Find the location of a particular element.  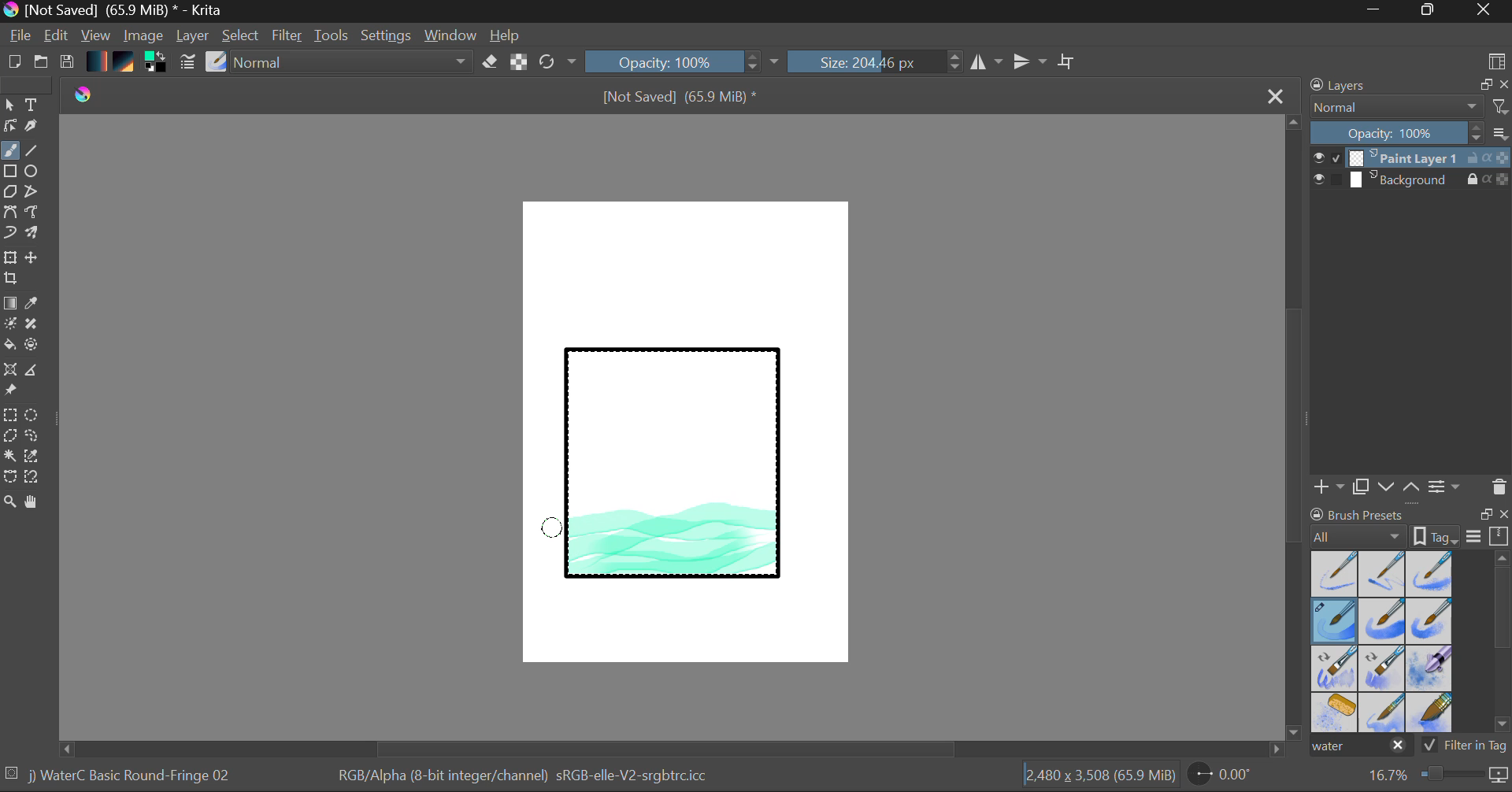

Save is located at coordinates (66, 63).